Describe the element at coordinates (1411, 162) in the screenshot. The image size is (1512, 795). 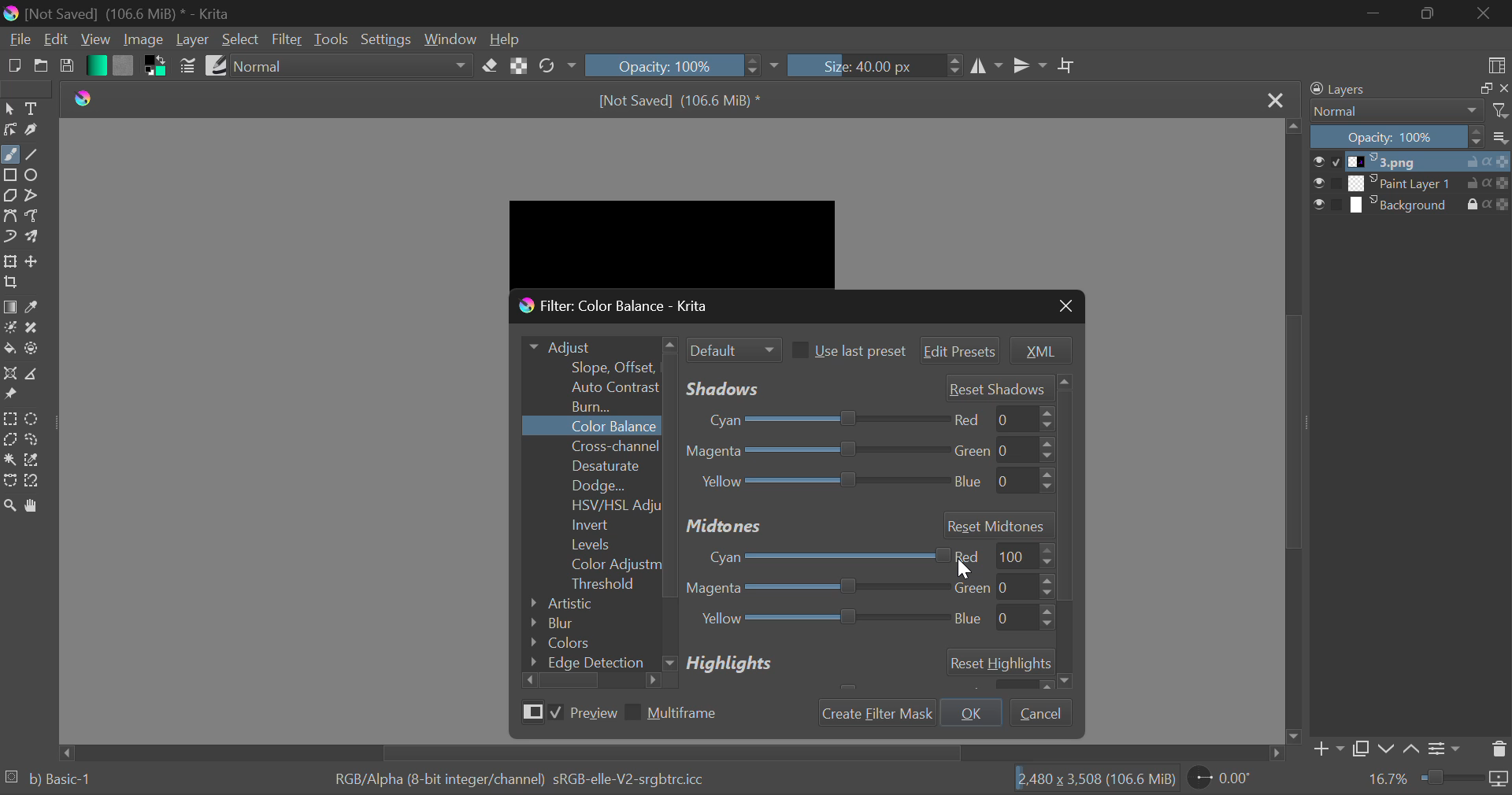
I see `1.png` at that location.